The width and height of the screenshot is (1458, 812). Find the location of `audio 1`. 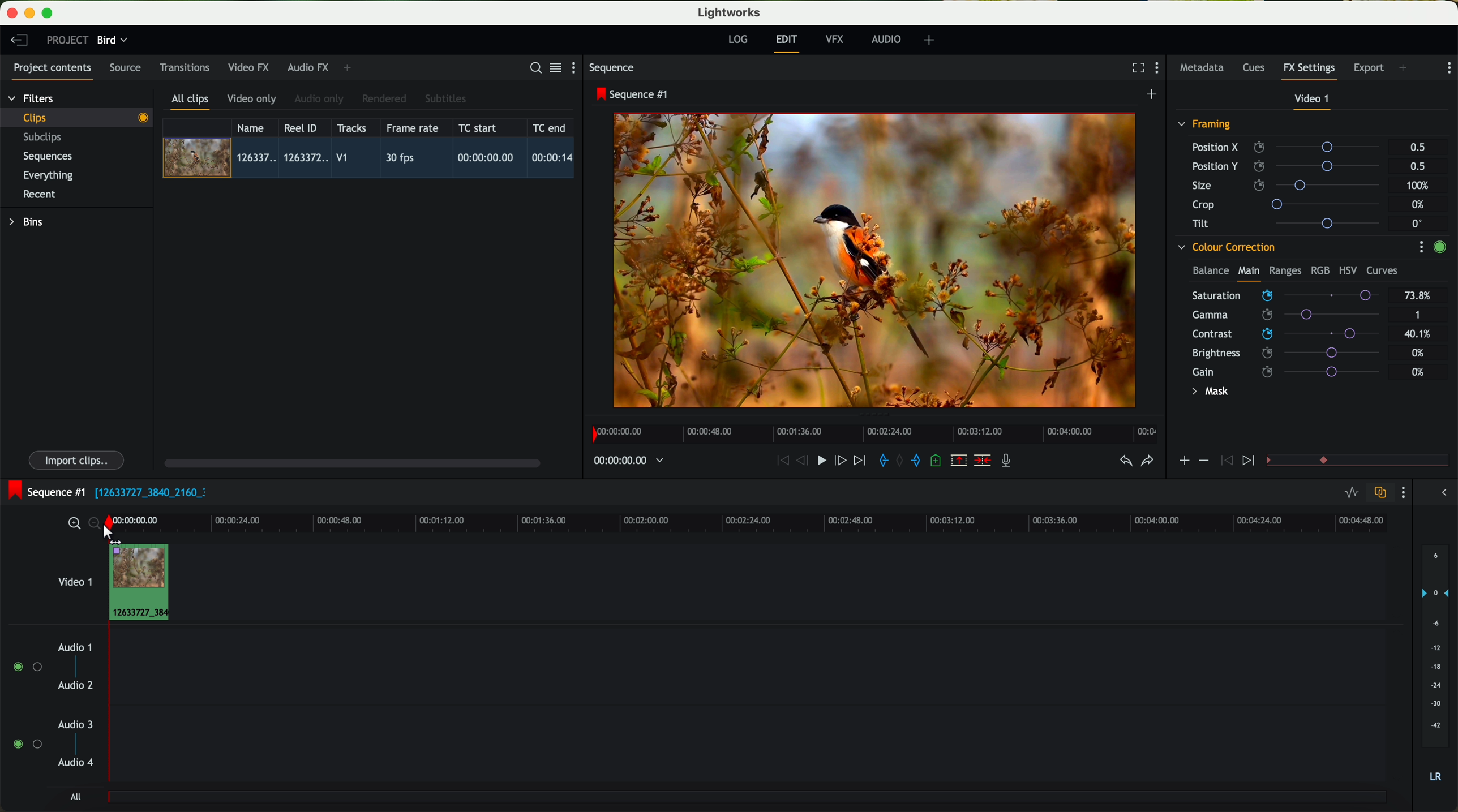

audio 1 is located at coordinates (75, 647).